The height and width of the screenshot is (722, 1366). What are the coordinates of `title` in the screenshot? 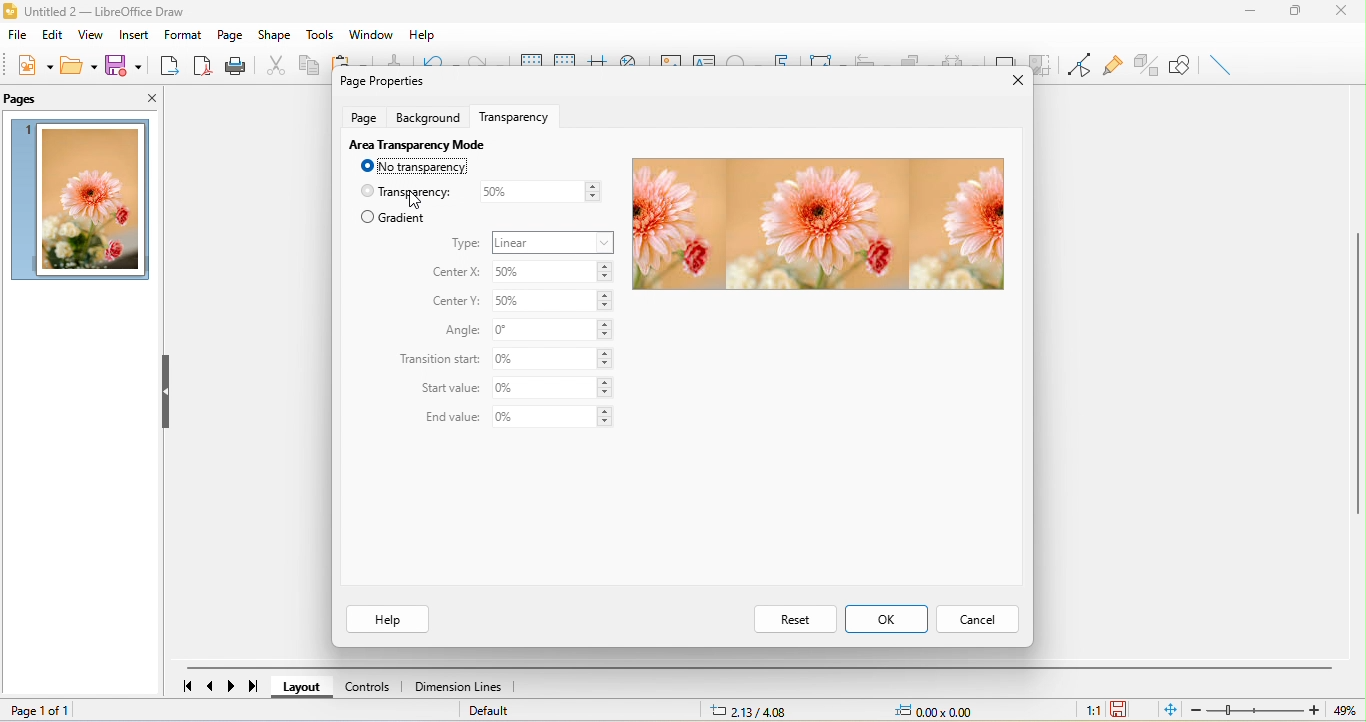 It's located at (102, 13).